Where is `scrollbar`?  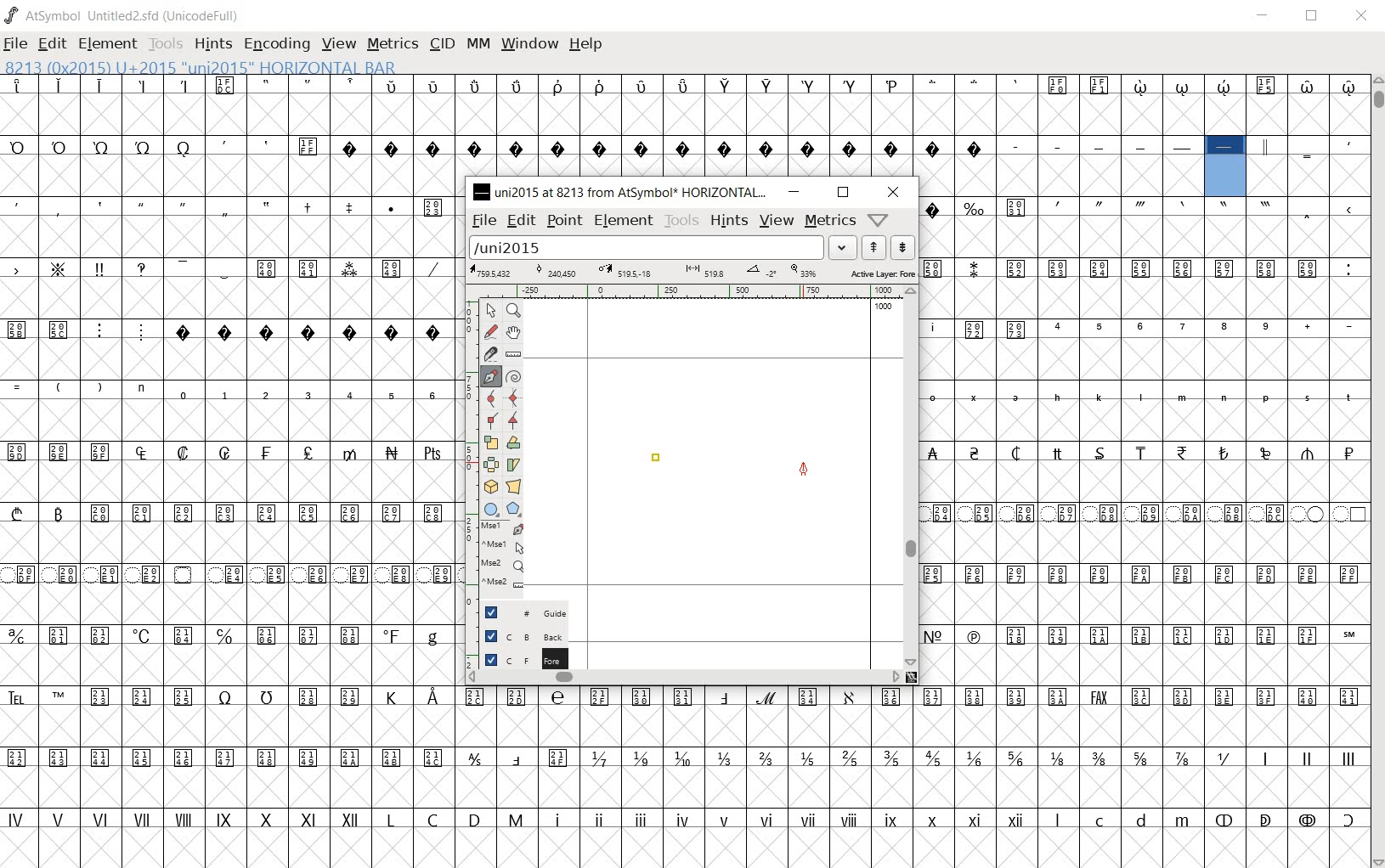 scrollbar is located at coordinates (683, 679).